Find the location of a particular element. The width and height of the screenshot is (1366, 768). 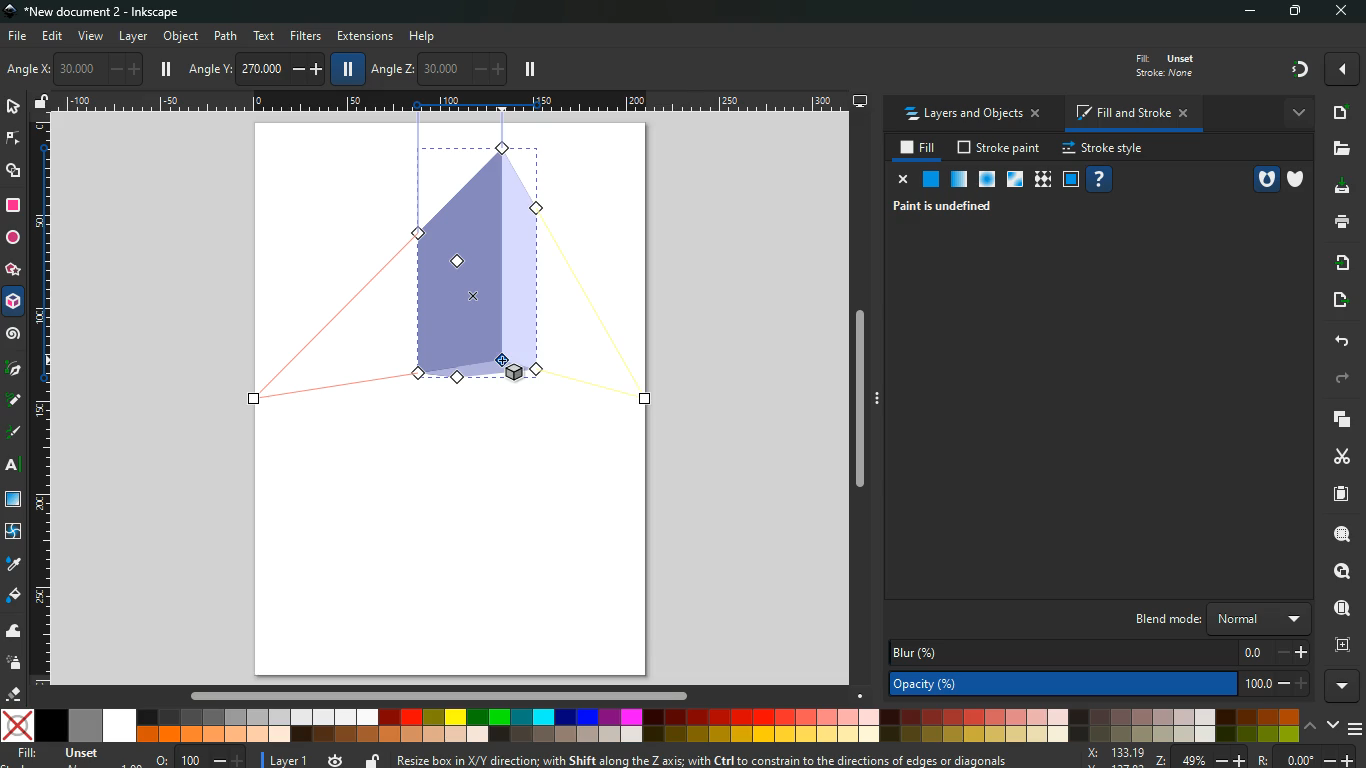

wave is located at coordinates (14, 633).